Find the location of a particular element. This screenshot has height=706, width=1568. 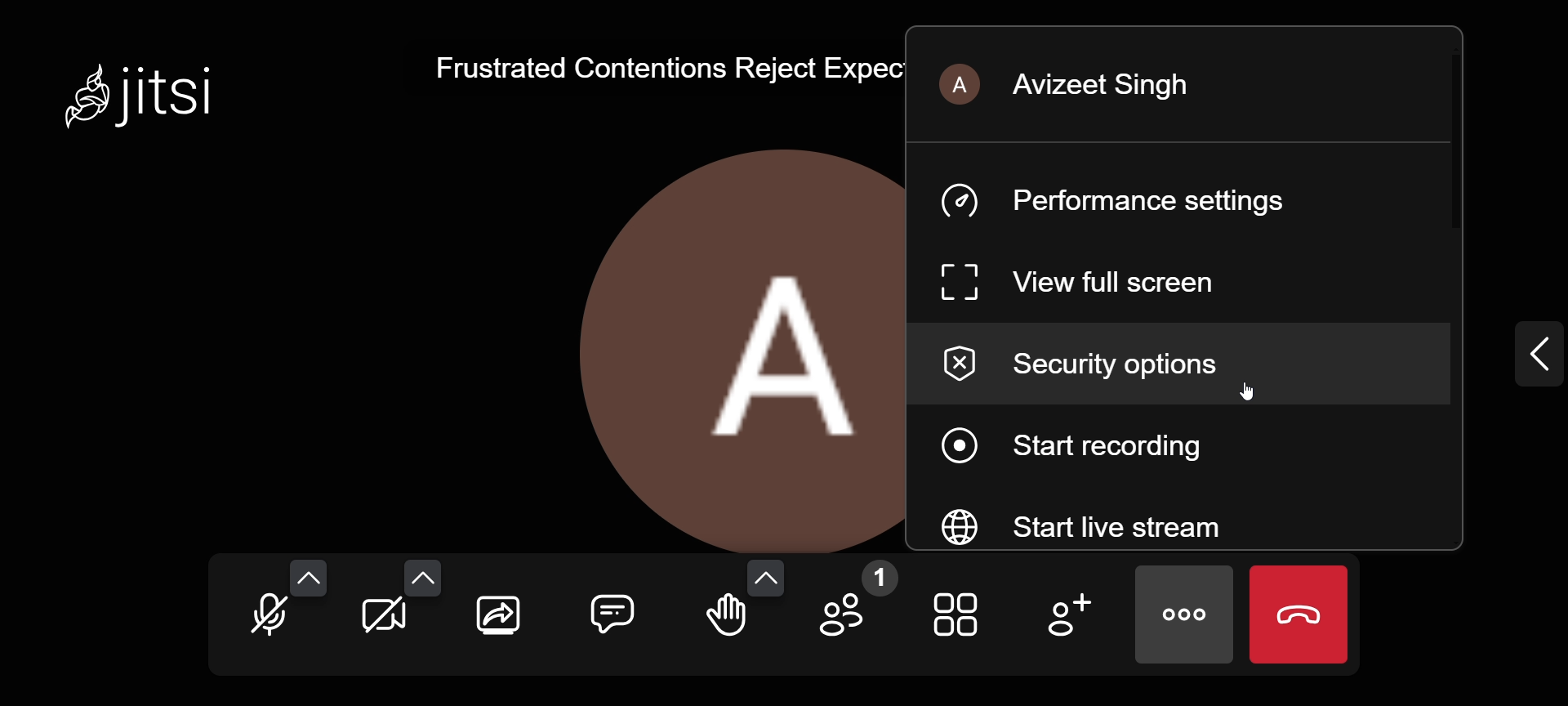

share screen is located at coordinates (497, 614).